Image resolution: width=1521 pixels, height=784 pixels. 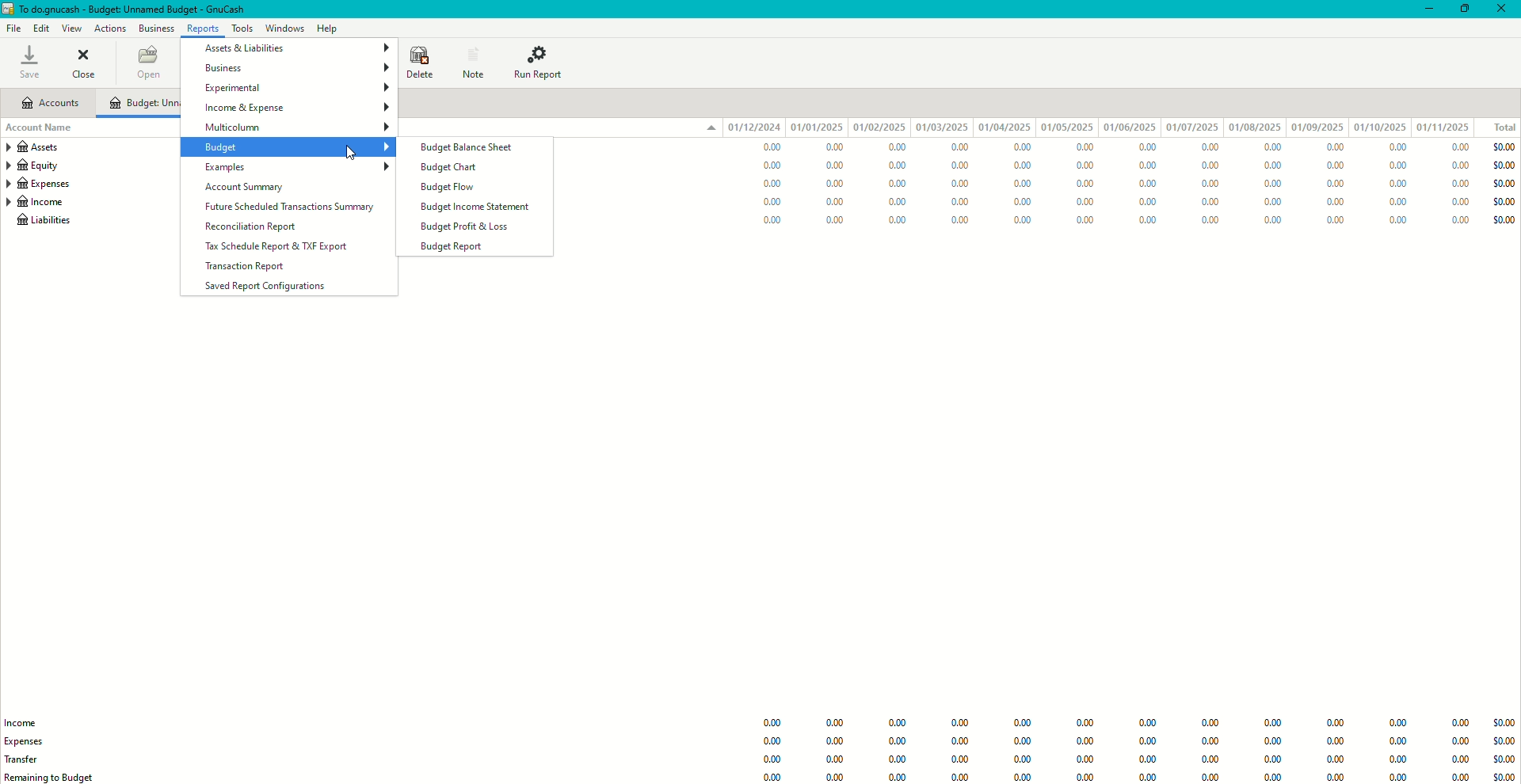 I want to click on 0.00, so click(x=1207, y=187).